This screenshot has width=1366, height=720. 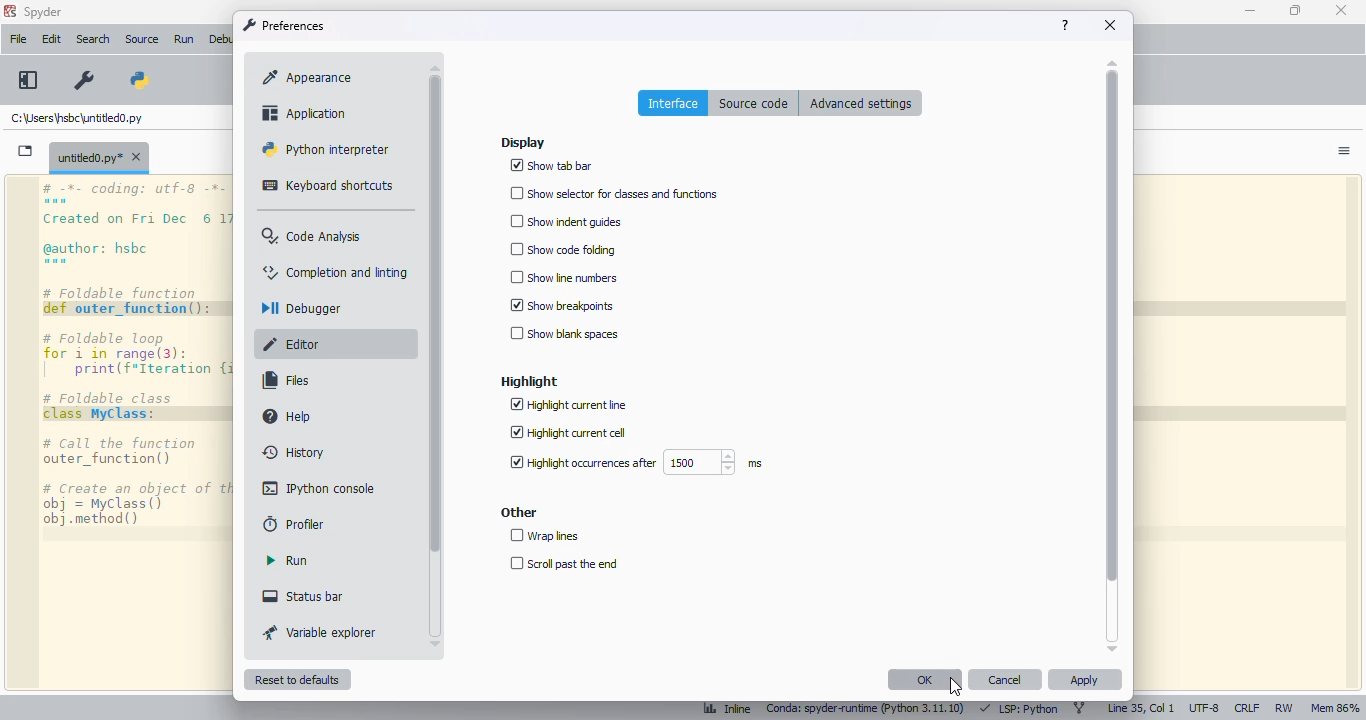 I want to click on OK, so click(x=926, y=679).